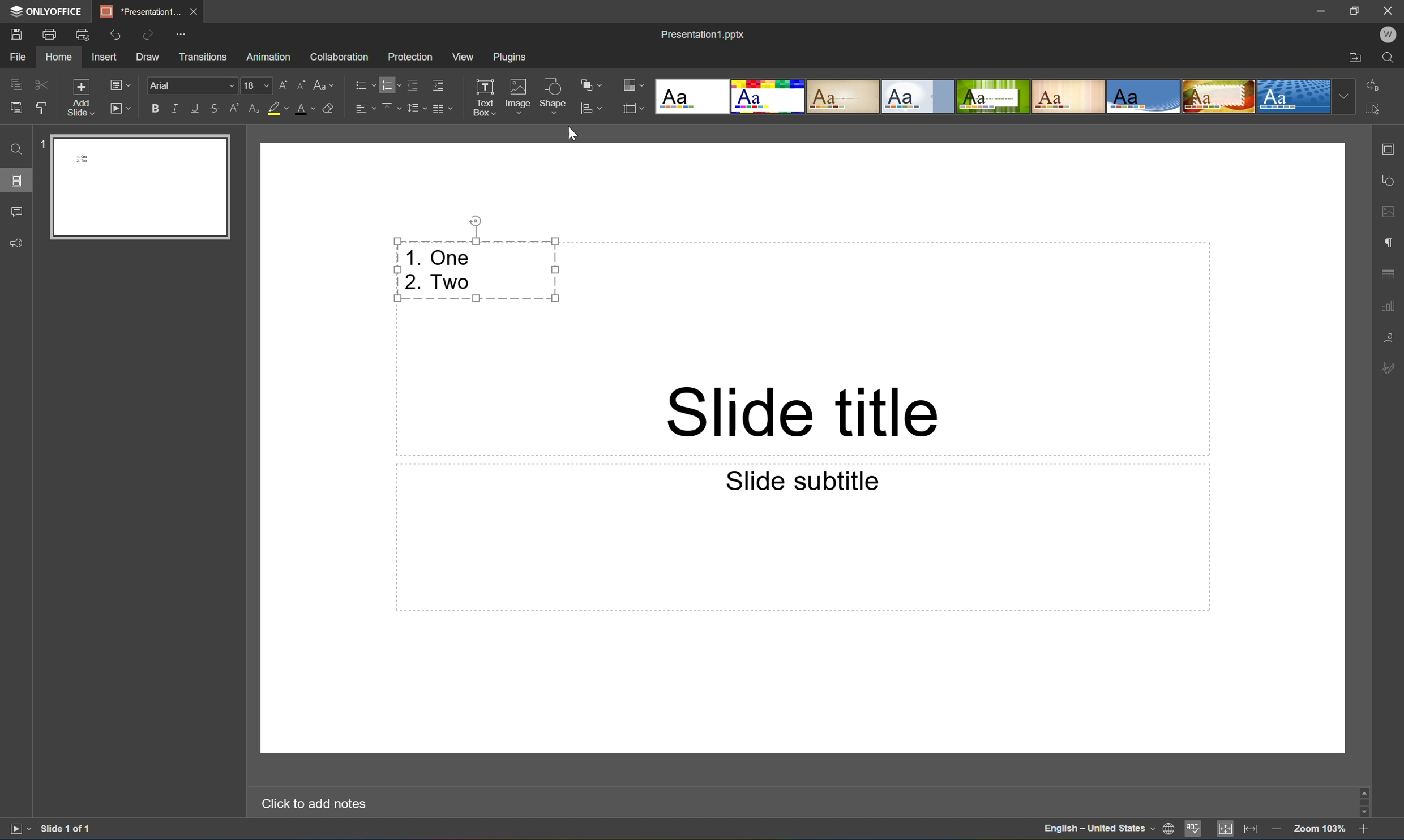 This screenshot has width=1404, height=840. What do you see at coordinates (1366, 800) in the screenshot?
I see `Scroll bar` at bounding box center [1366, 800].